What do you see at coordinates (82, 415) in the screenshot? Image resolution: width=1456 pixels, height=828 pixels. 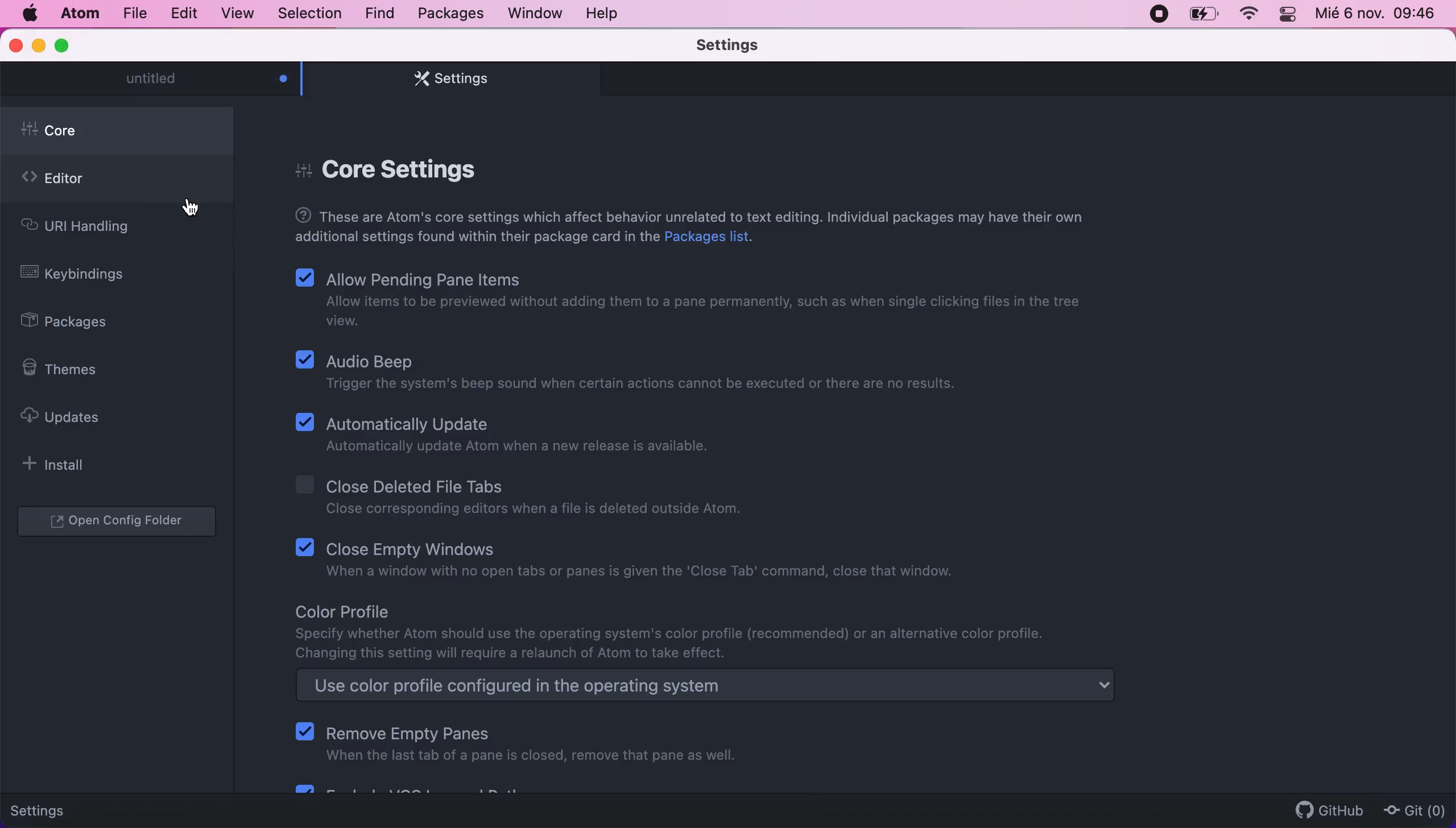 I see `updates` at bounding box center [82, 415].